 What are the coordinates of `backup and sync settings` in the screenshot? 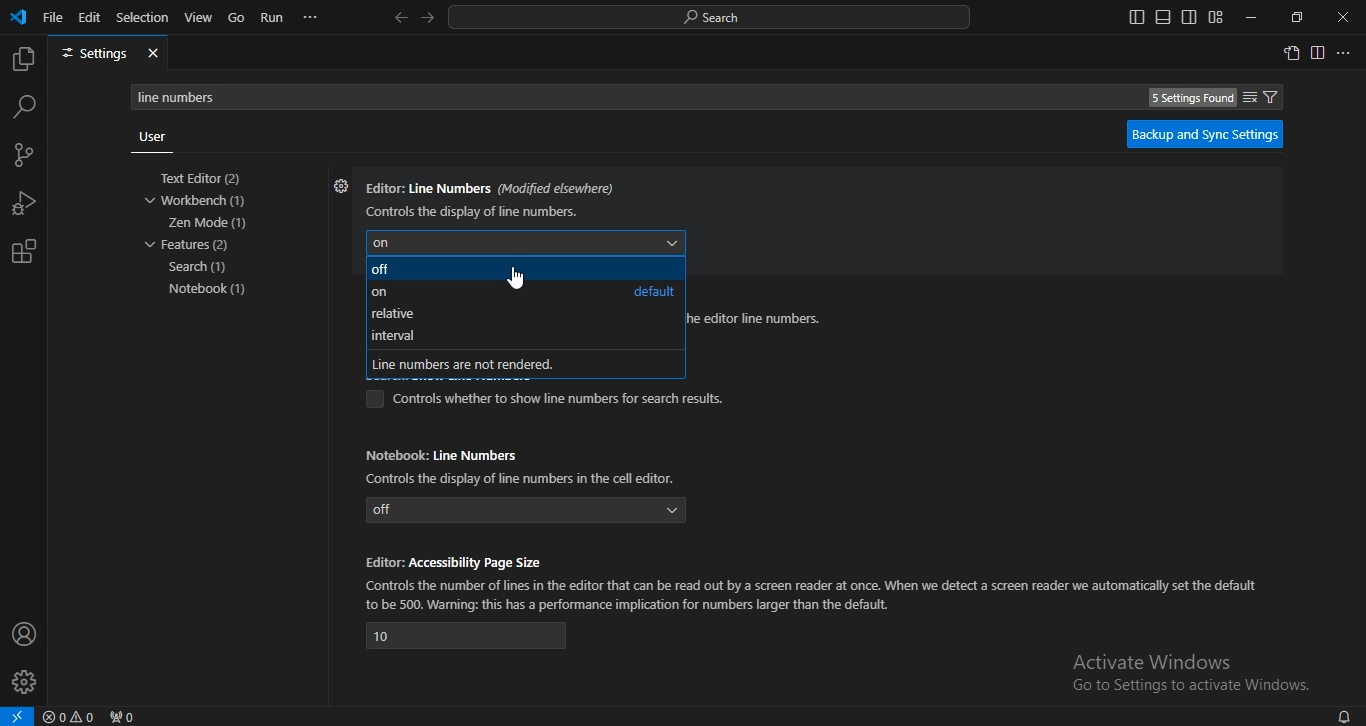 It's located at (1200, 134).